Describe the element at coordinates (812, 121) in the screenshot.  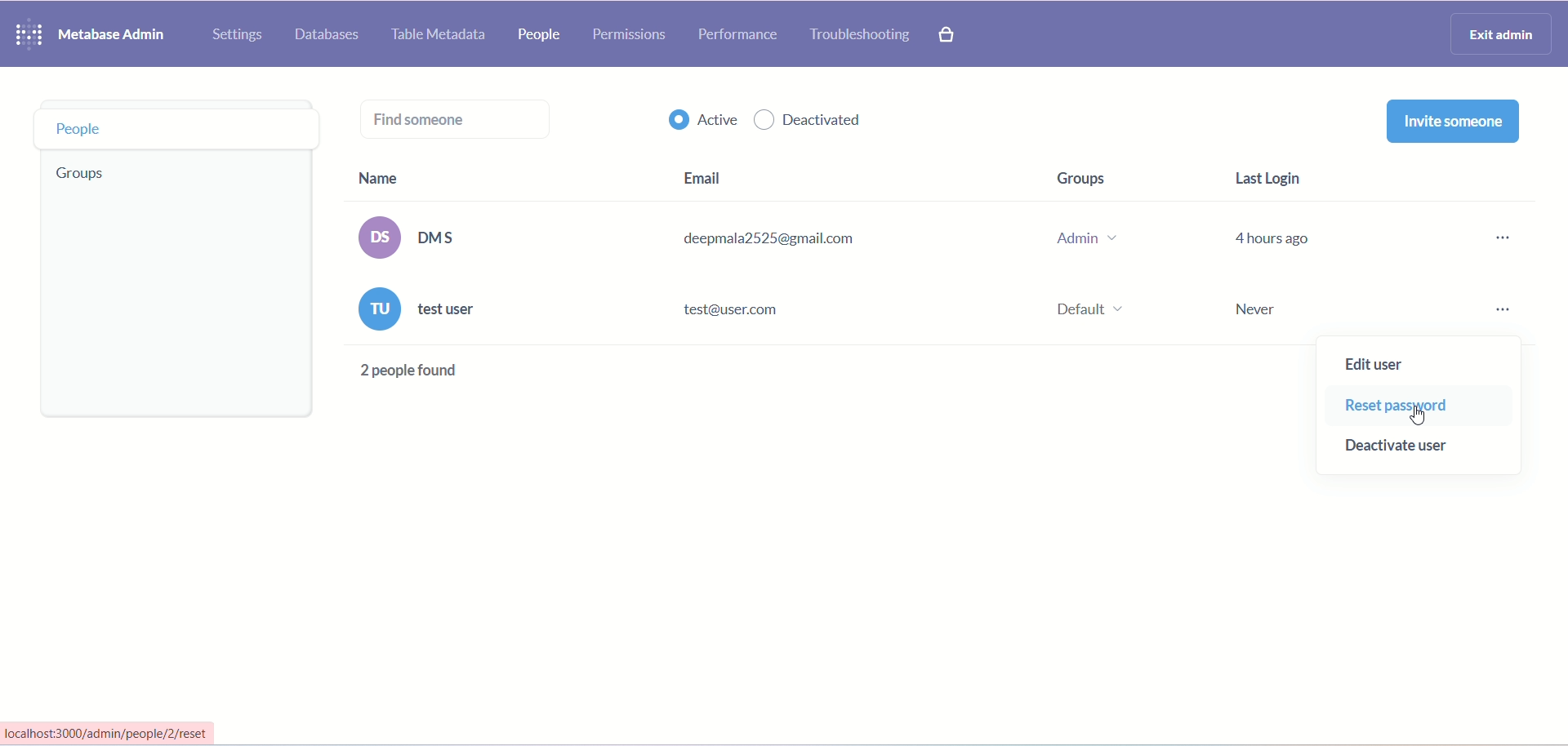
I see `deactivated` at that location.